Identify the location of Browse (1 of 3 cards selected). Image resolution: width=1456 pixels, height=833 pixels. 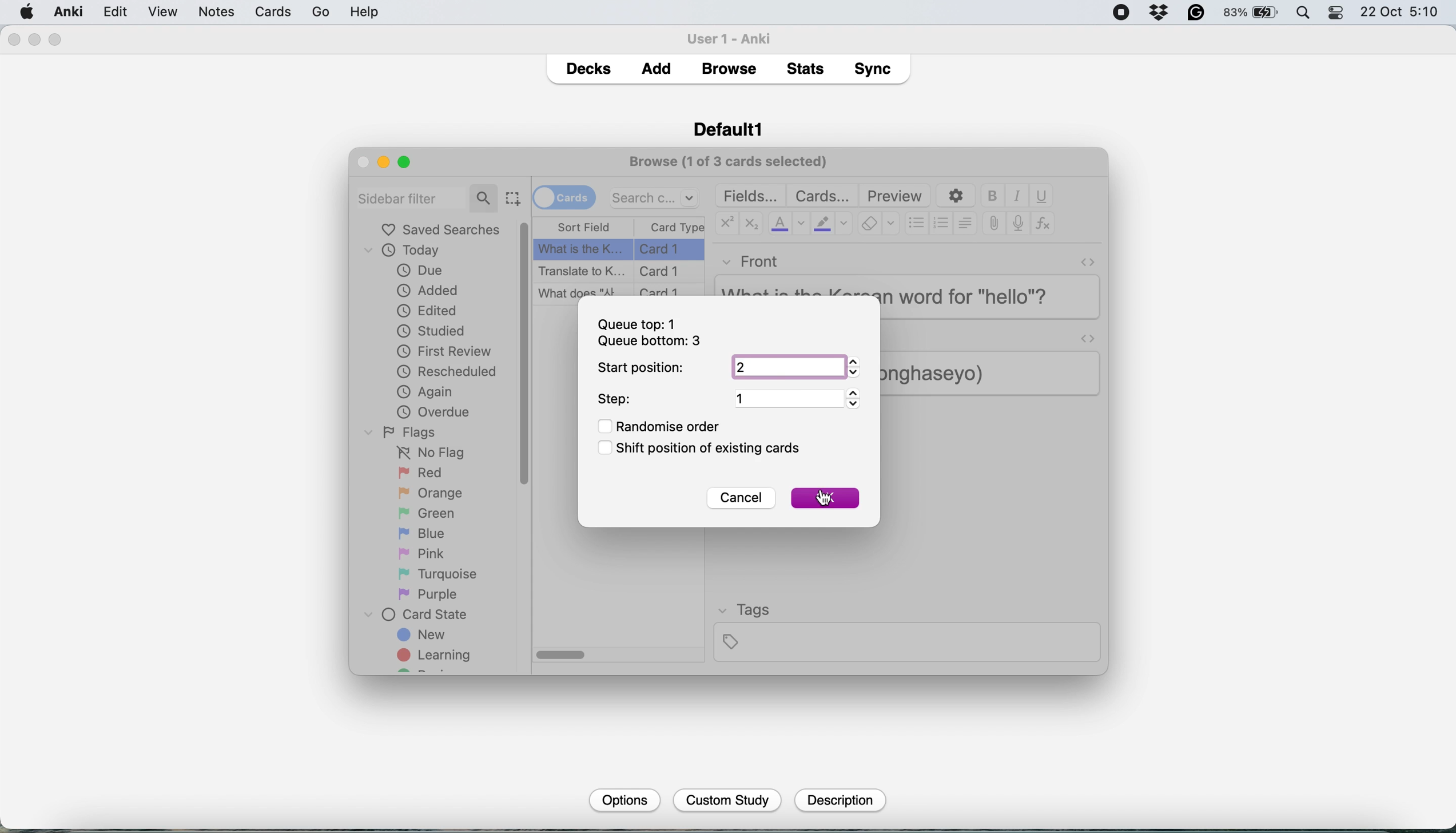
(732, 160).